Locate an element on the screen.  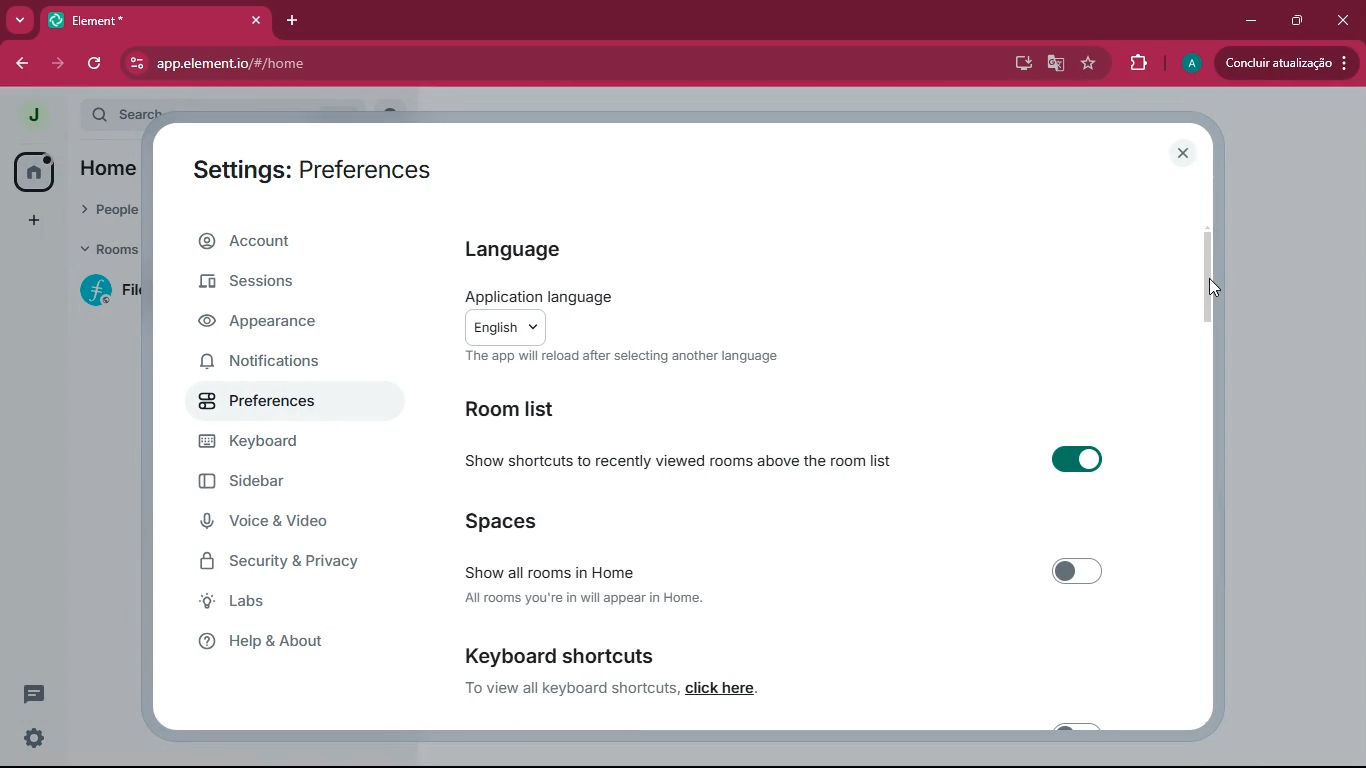
the app will reload after selecting another language is located at coordinates (624, 356).